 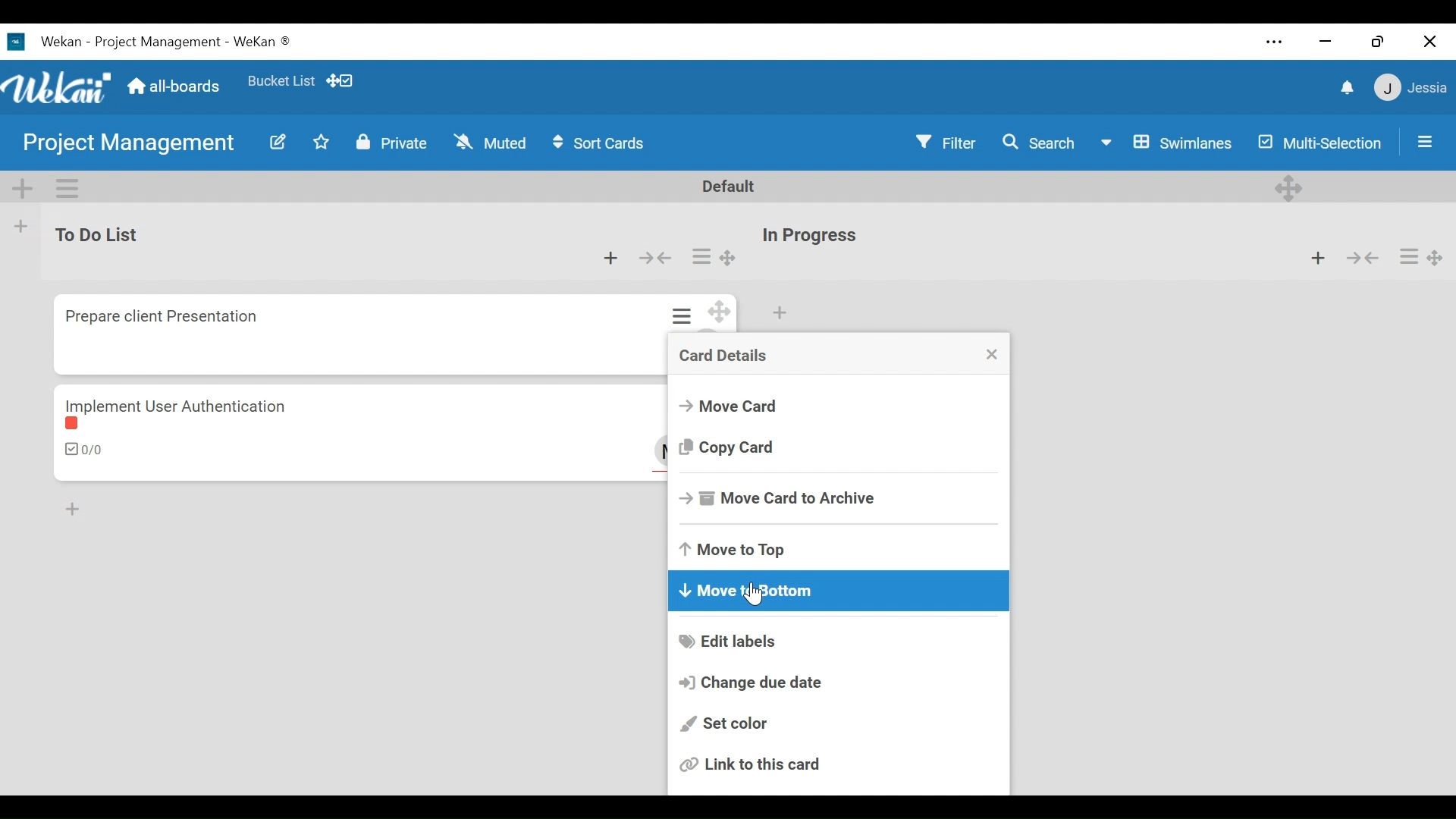 What do you see at coordinates (811, 236) in the screenshot?
I see `List Title` at bounding box center [811, 236].